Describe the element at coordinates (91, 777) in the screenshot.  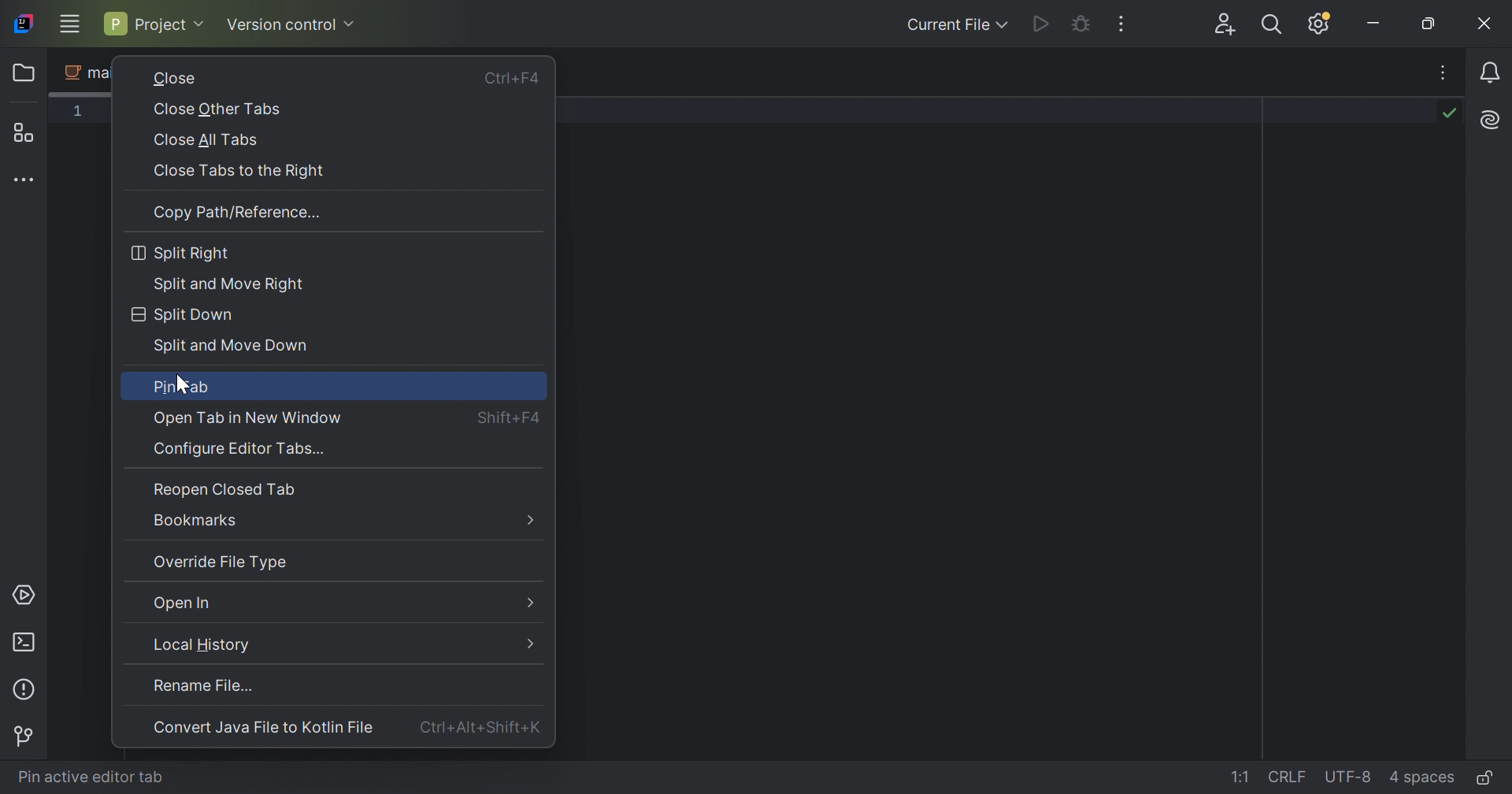
I see `pin active editor tab` at that location.